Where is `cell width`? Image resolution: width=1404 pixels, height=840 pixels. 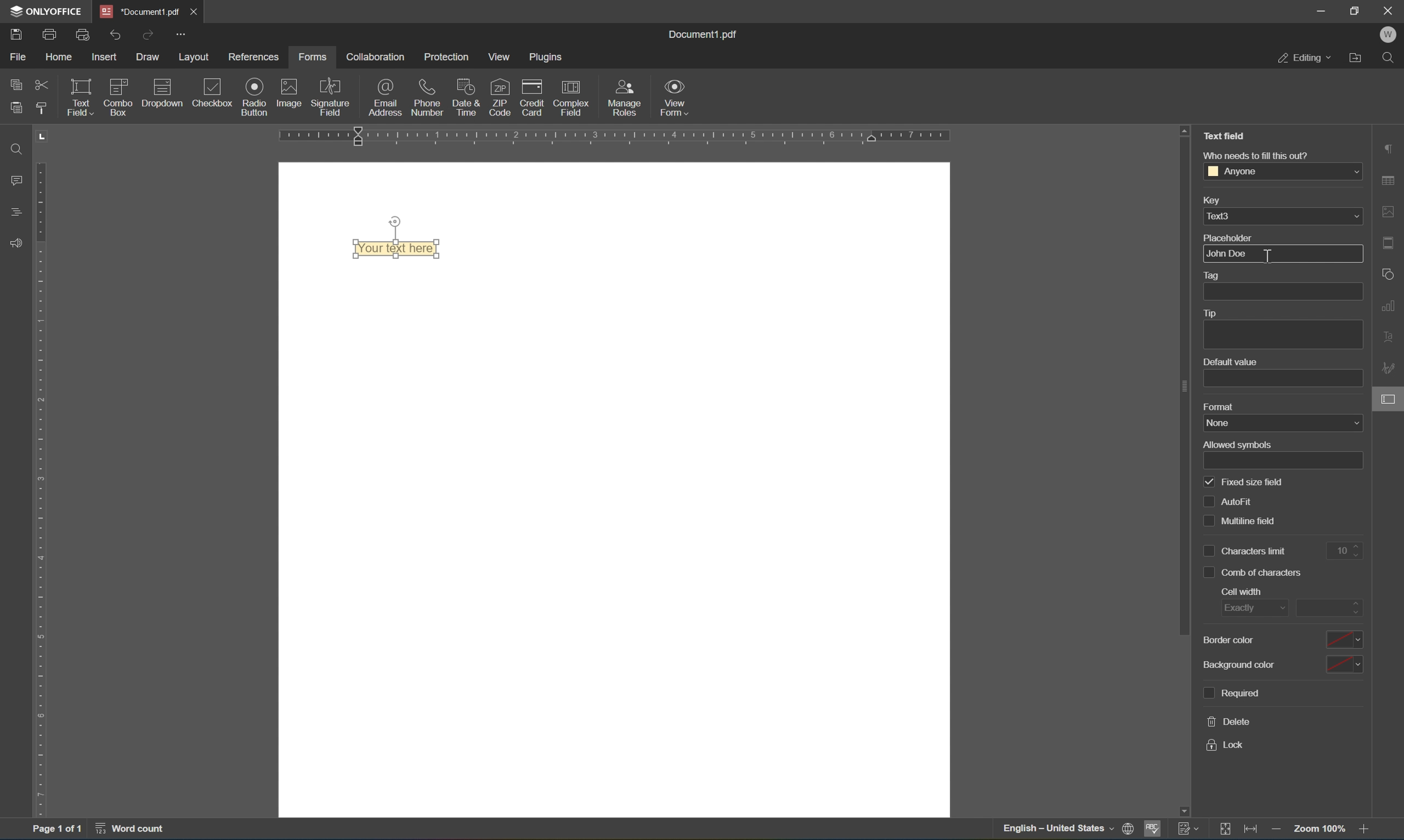 cell width is located at coordinates (1242, 590).